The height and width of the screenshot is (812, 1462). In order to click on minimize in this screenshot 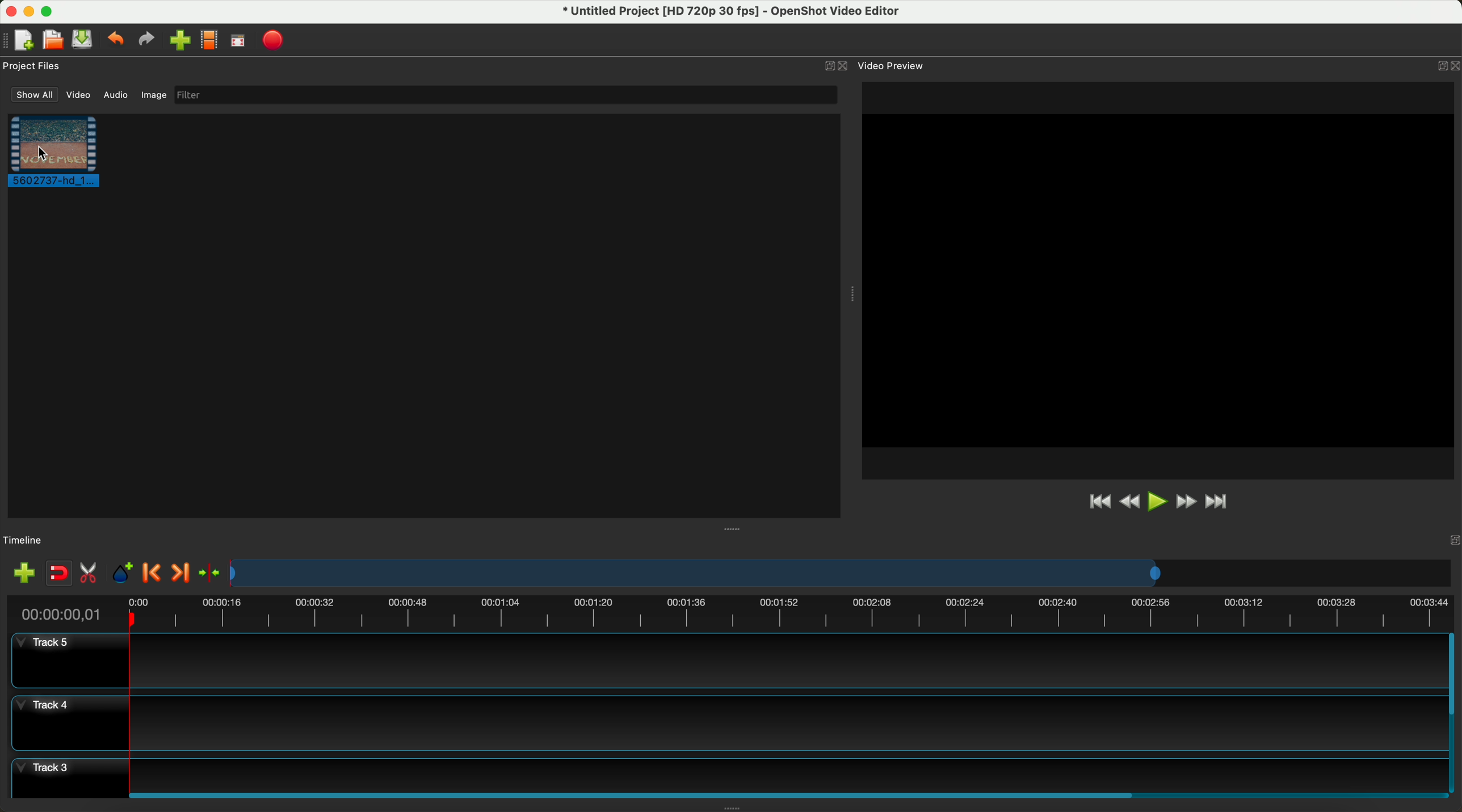, I will do `click(30, 11)`.